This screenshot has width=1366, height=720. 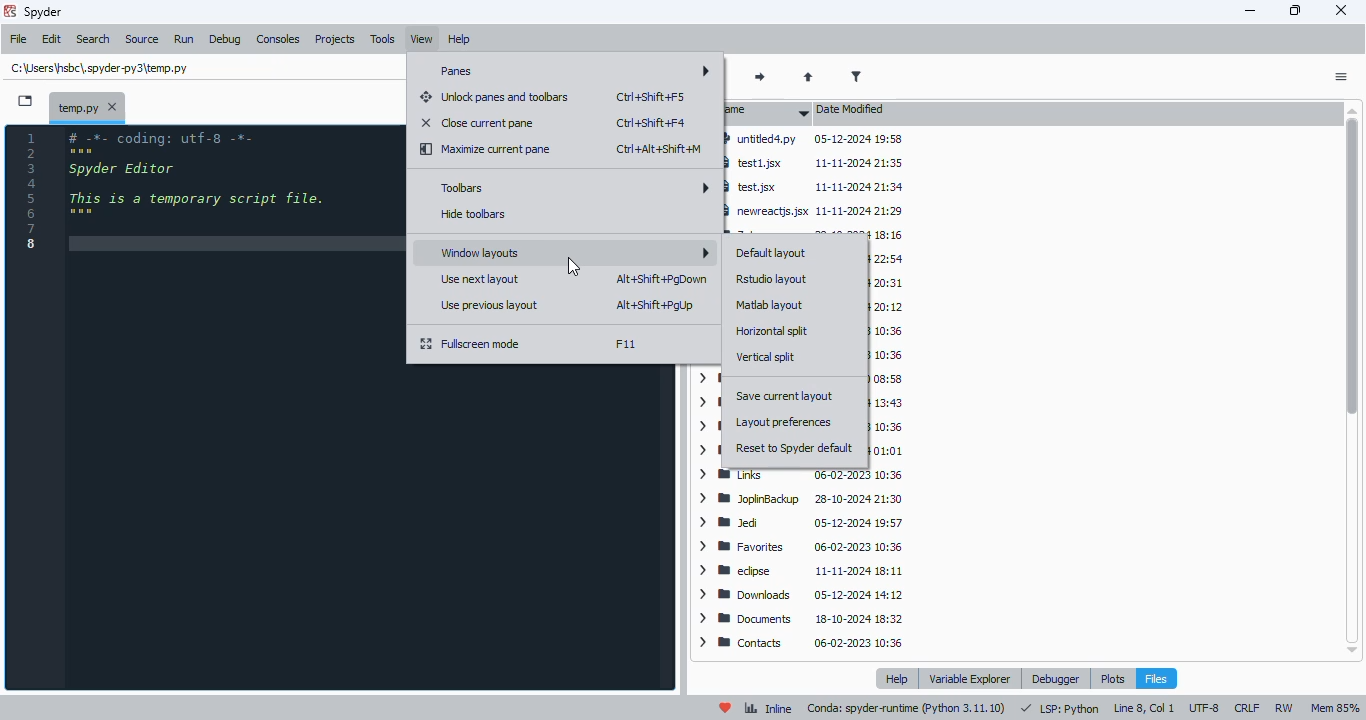 I want to click on JoplinBackup, so click(x=802, y=498).